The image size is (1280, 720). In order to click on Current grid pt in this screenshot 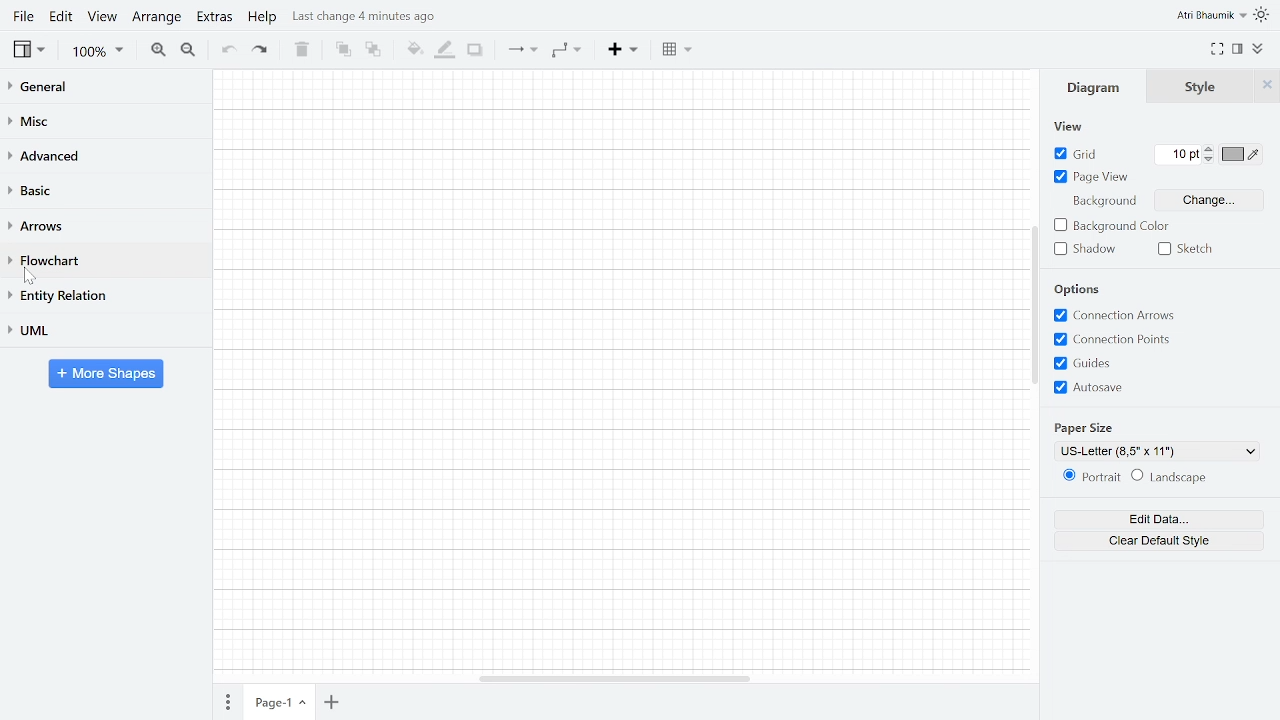, I will do `click(1178, 155)`.